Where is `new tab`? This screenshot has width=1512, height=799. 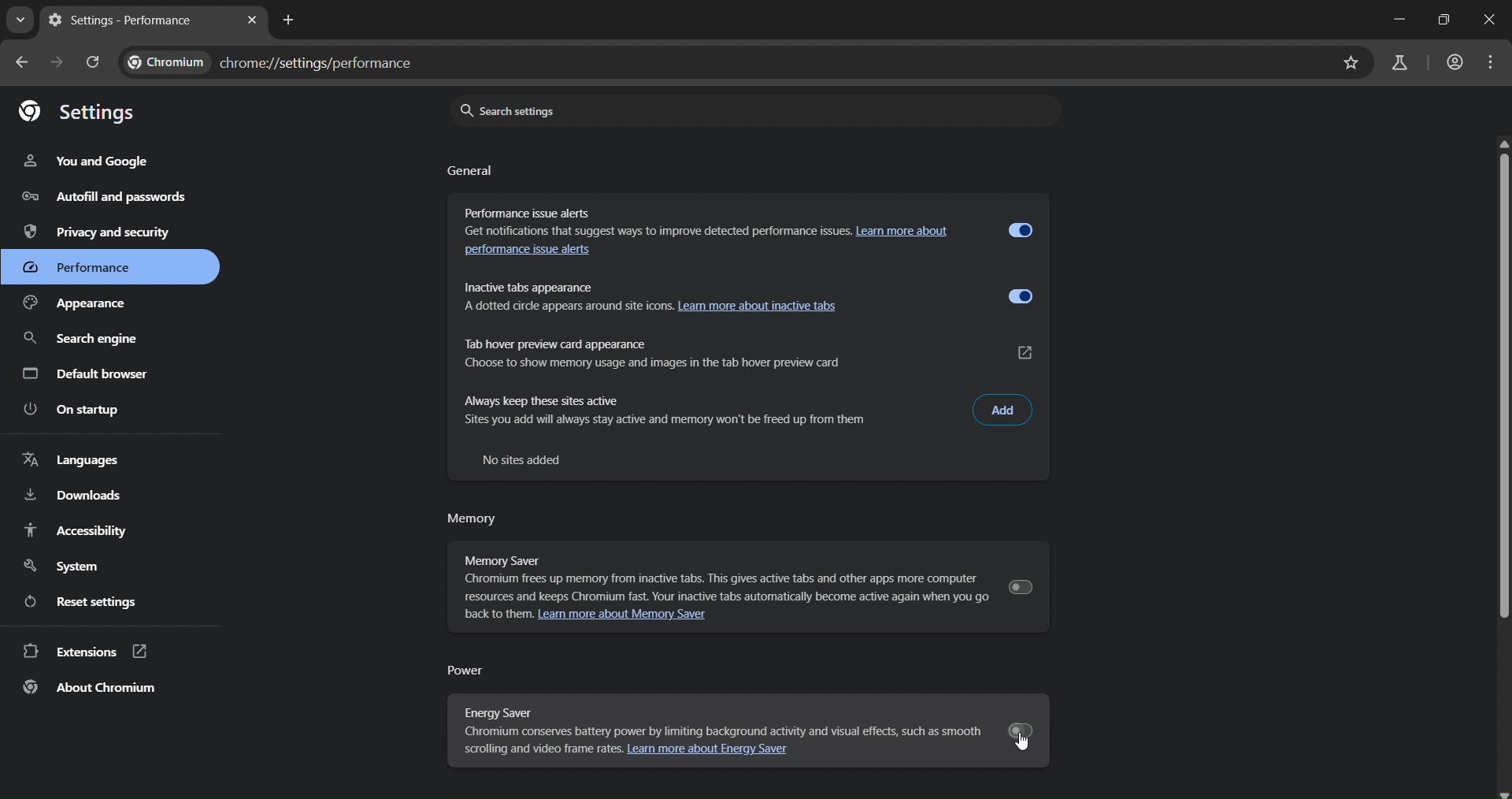 new tab is located at coordinates (291, 20).